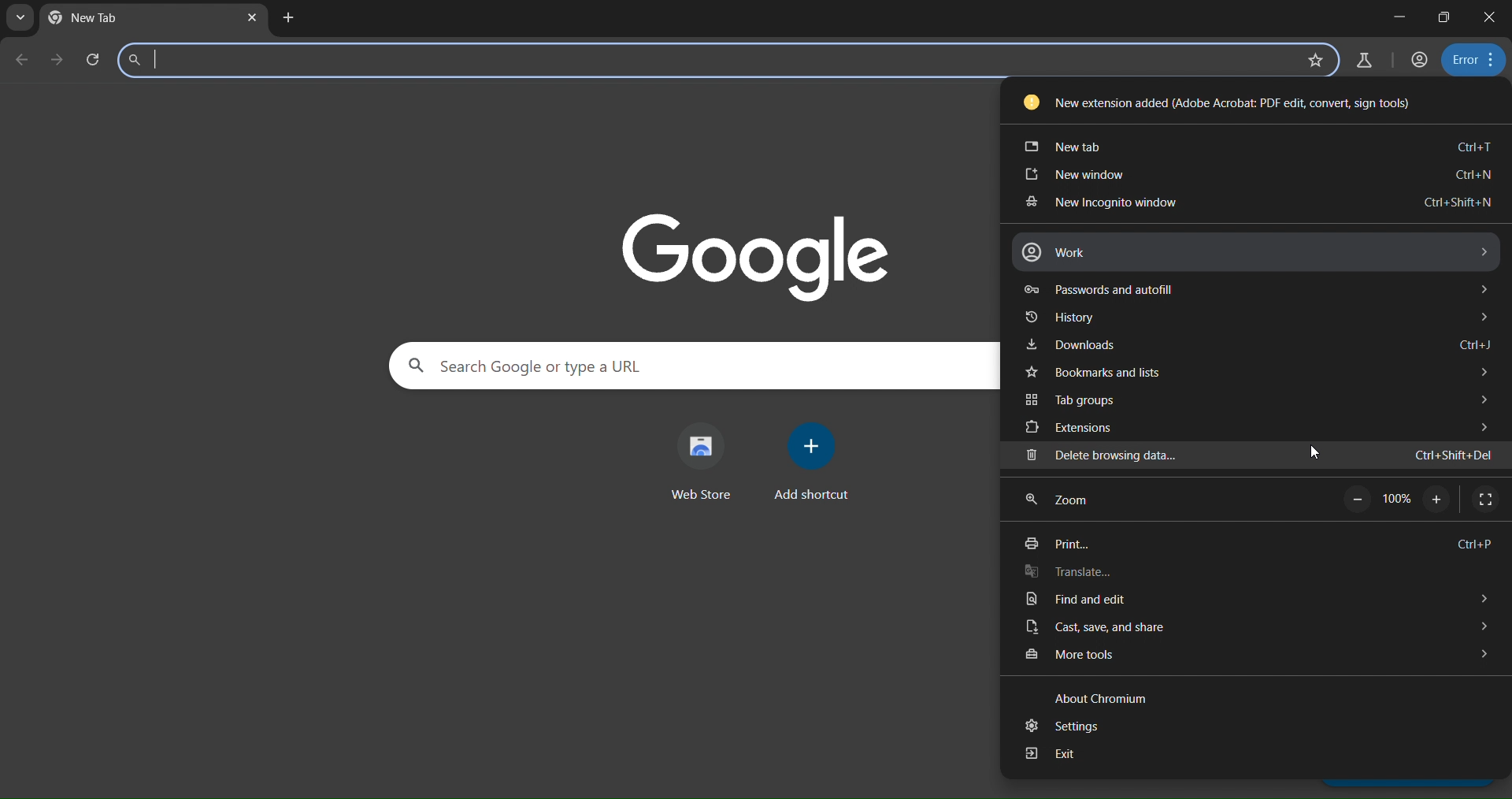  Describe the element at coordinates (765, 258) in the screenshot. I see `google` at that location.